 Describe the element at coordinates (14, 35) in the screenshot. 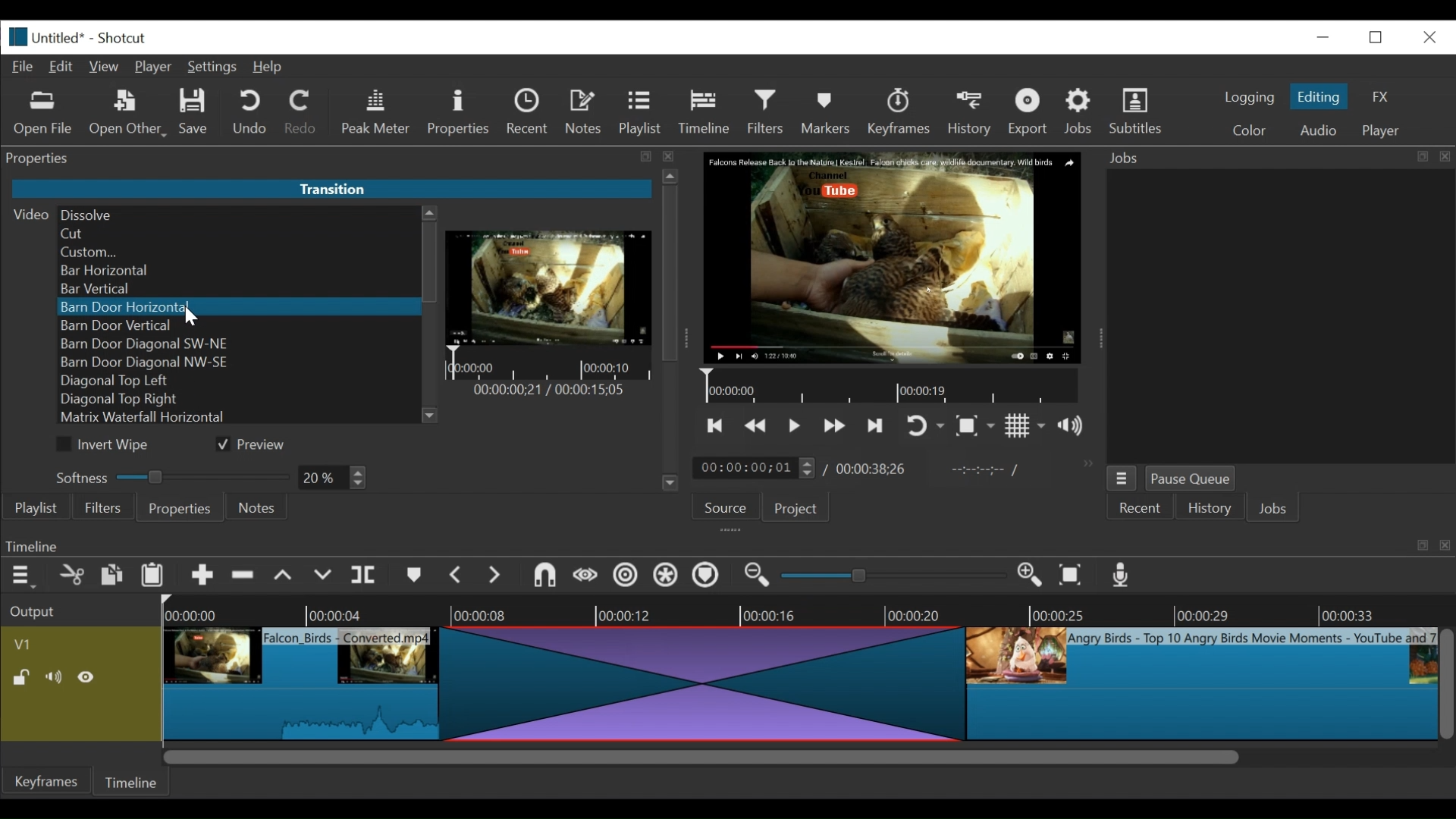

I see `Shotcut logo` at that location.